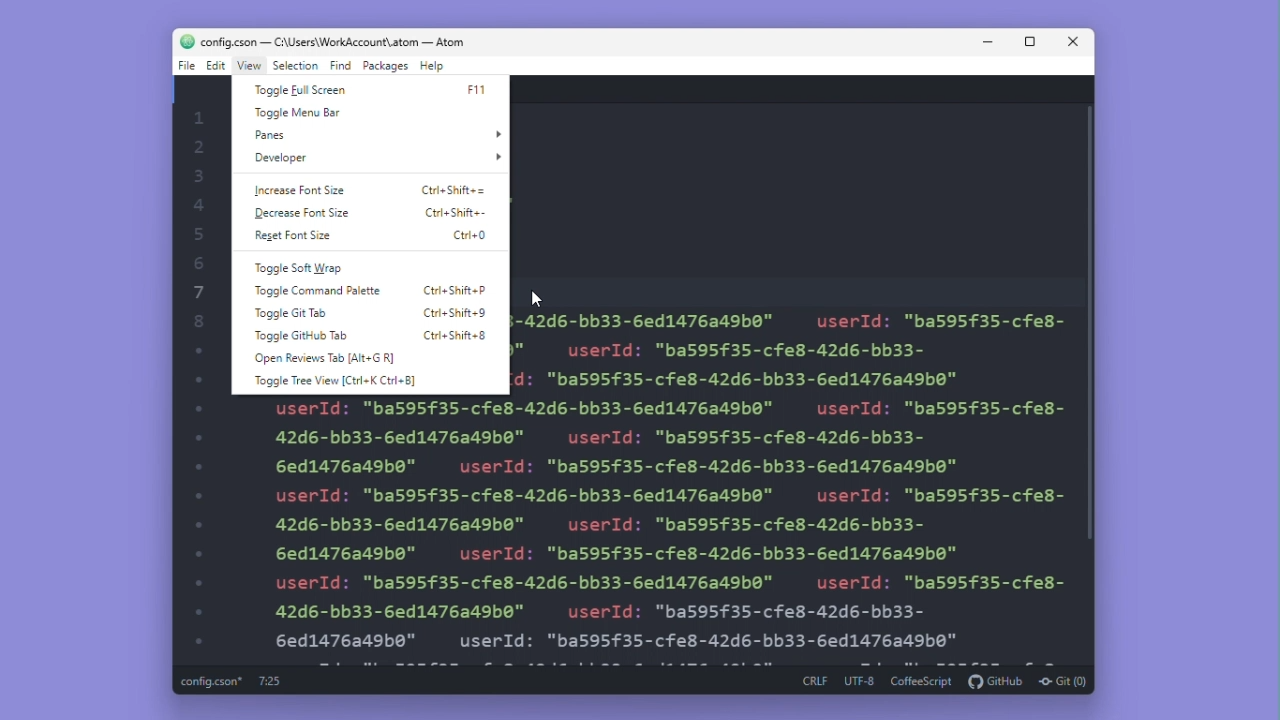 The image size is (1280, 720). I want to click on coffeescript, so click(922, 681).